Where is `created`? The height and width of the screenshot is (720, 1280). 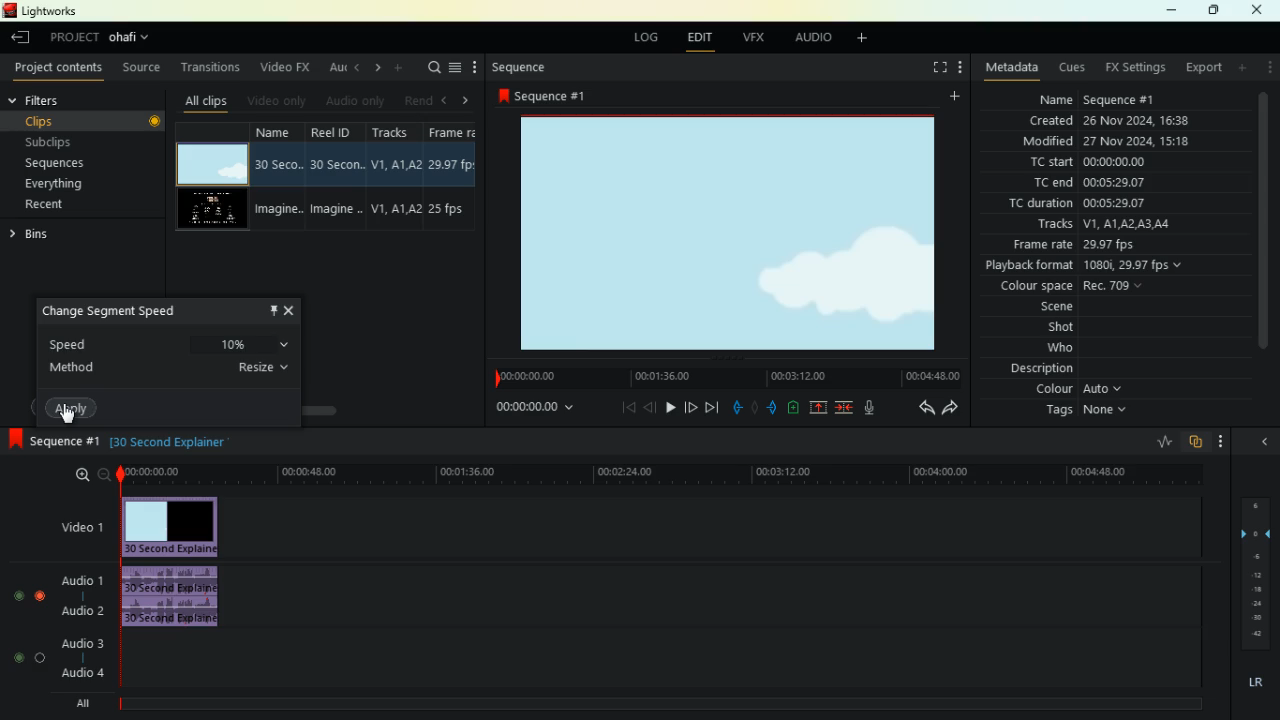
created is located at coordinates (1111, 120).